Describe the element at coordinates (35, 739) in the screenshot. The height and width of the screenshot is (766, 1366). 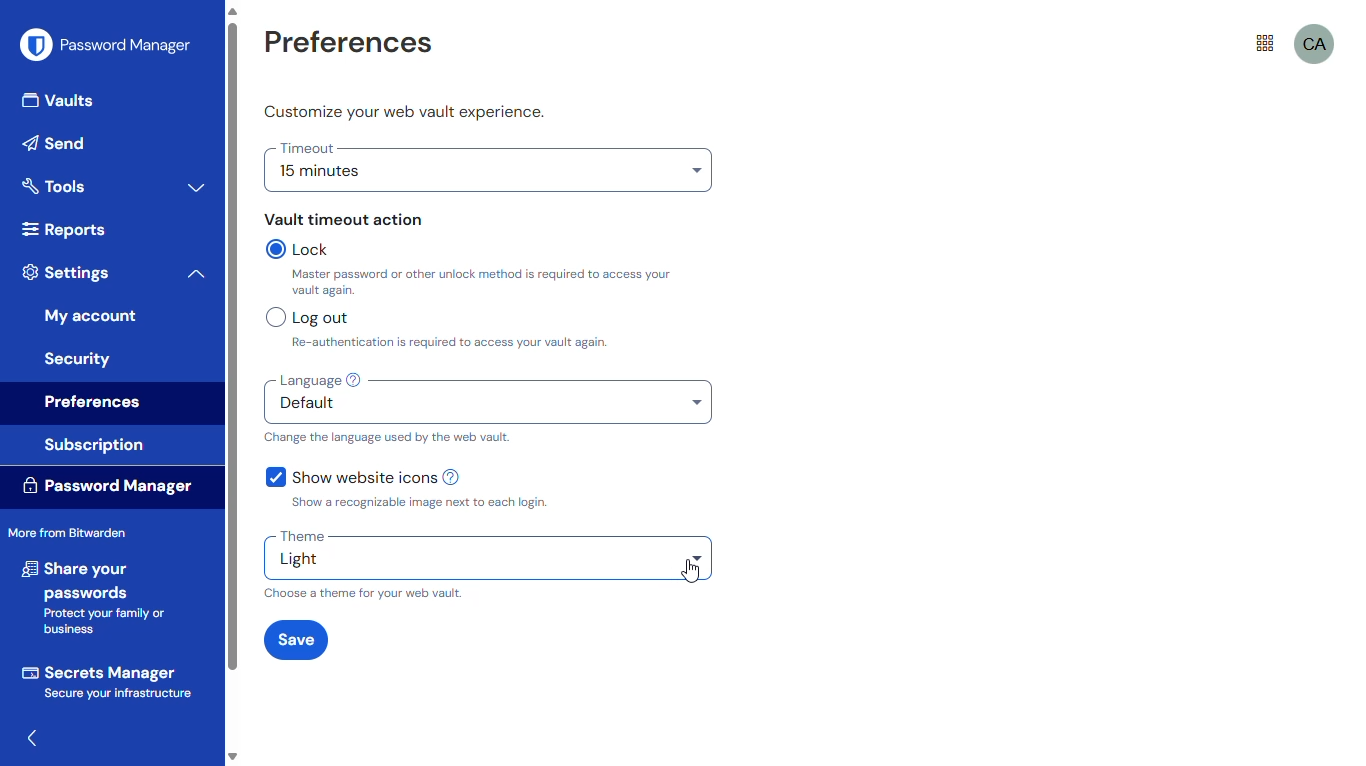
I see `hide` at that location.